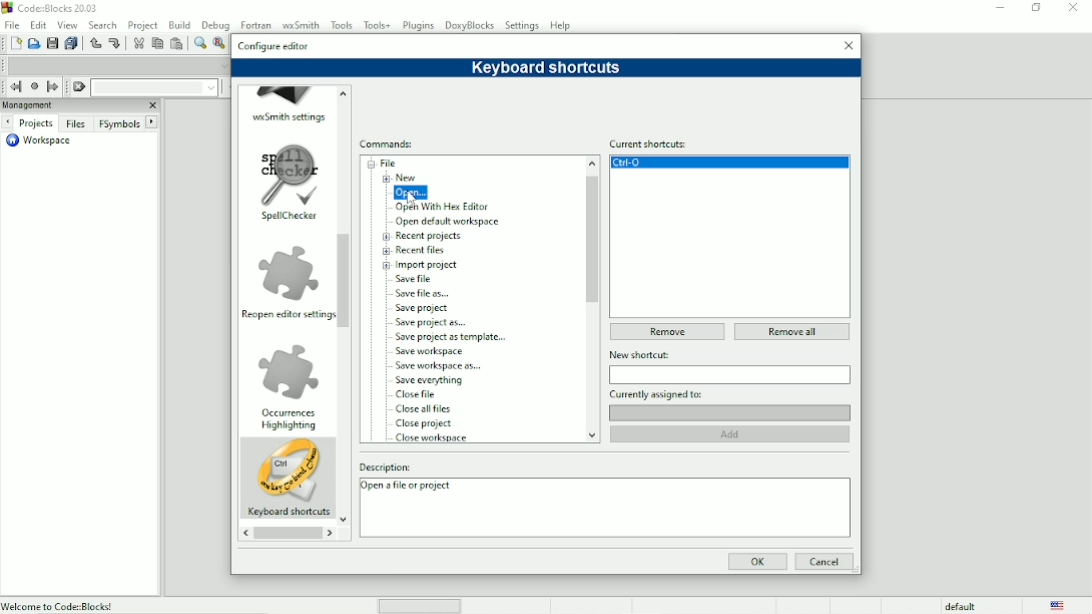 The image size is (1092, 614). I want to click on Vertical scrollbar, so click(345, 281).